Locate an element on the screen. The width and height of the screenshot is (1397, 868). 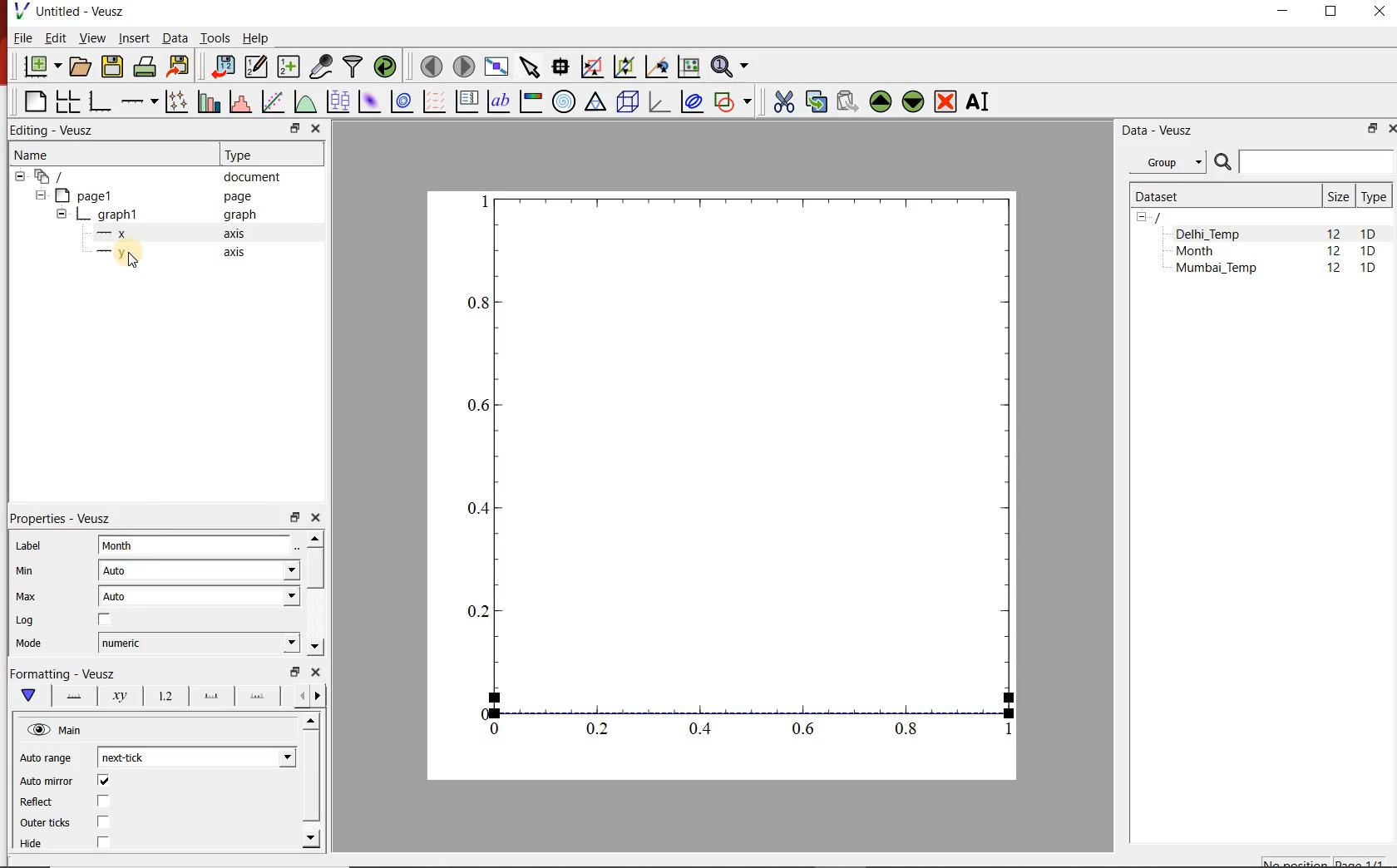
Name is located at coordinates (33, 154).